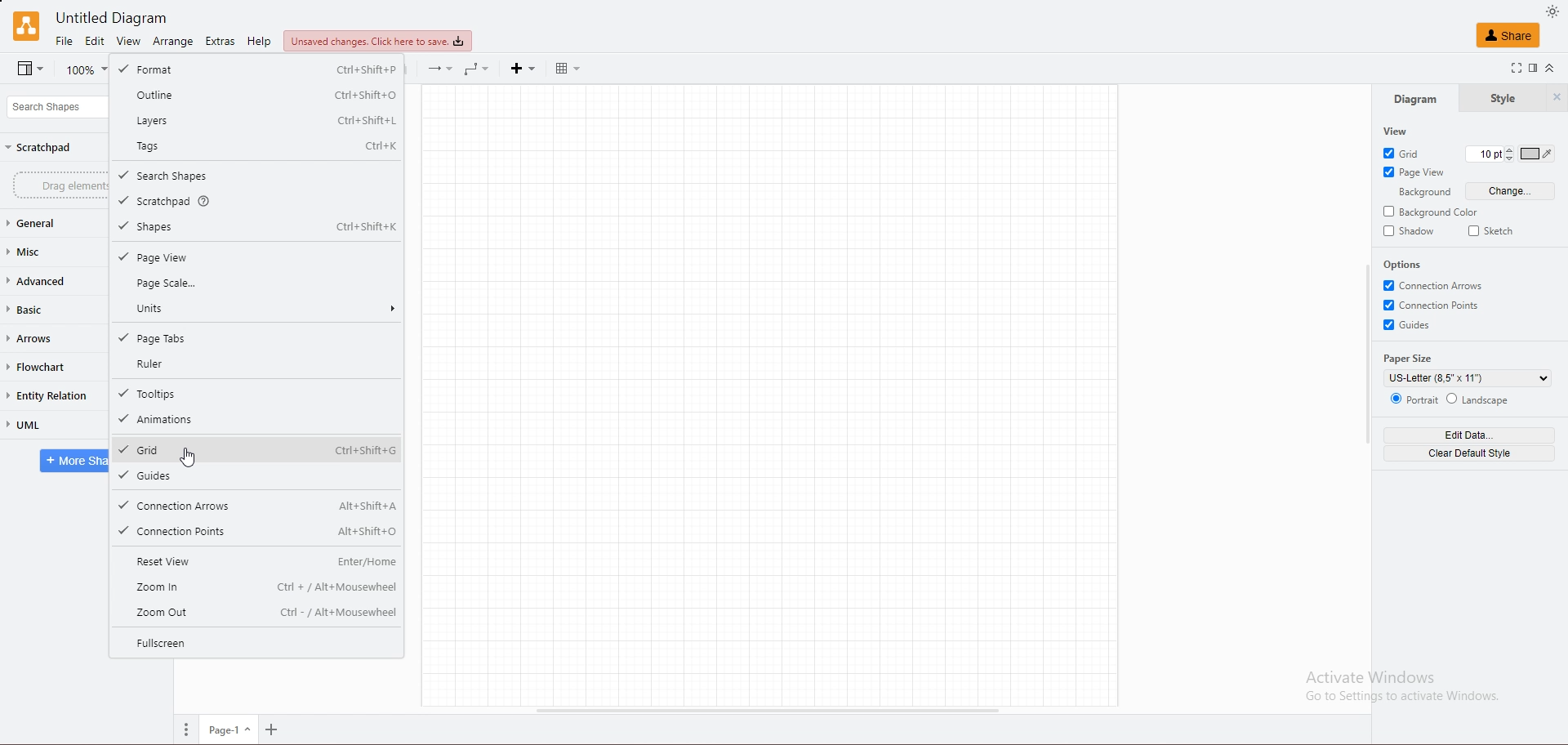 This screenshot has width=1568, height=745. I want to click on units, so click(257, 307).